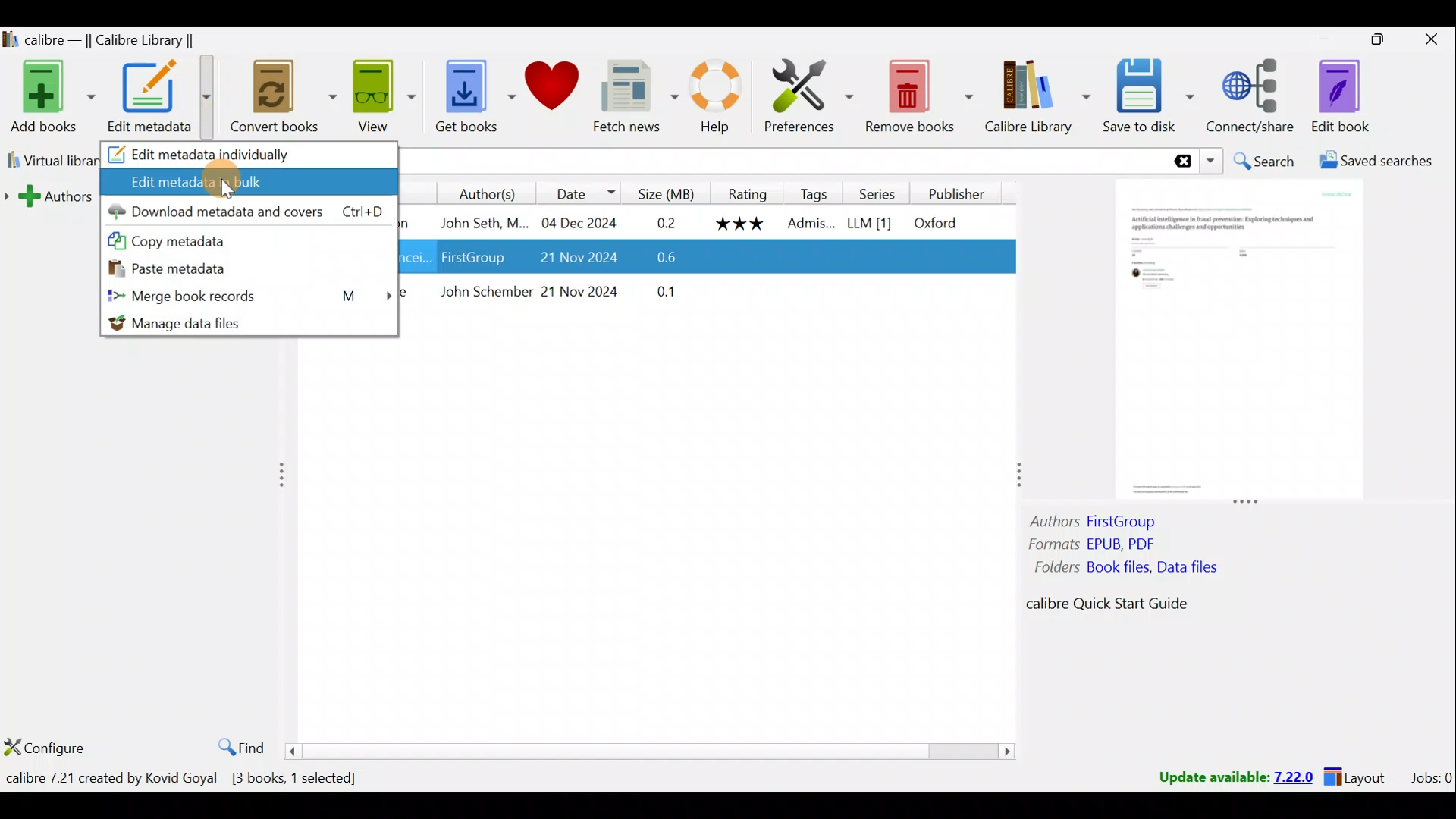 The height and width of the screenshot is (819, 1456). Describe the element at coordinates (626, 96) in the screenshot. I see `Fetch news` at that location.